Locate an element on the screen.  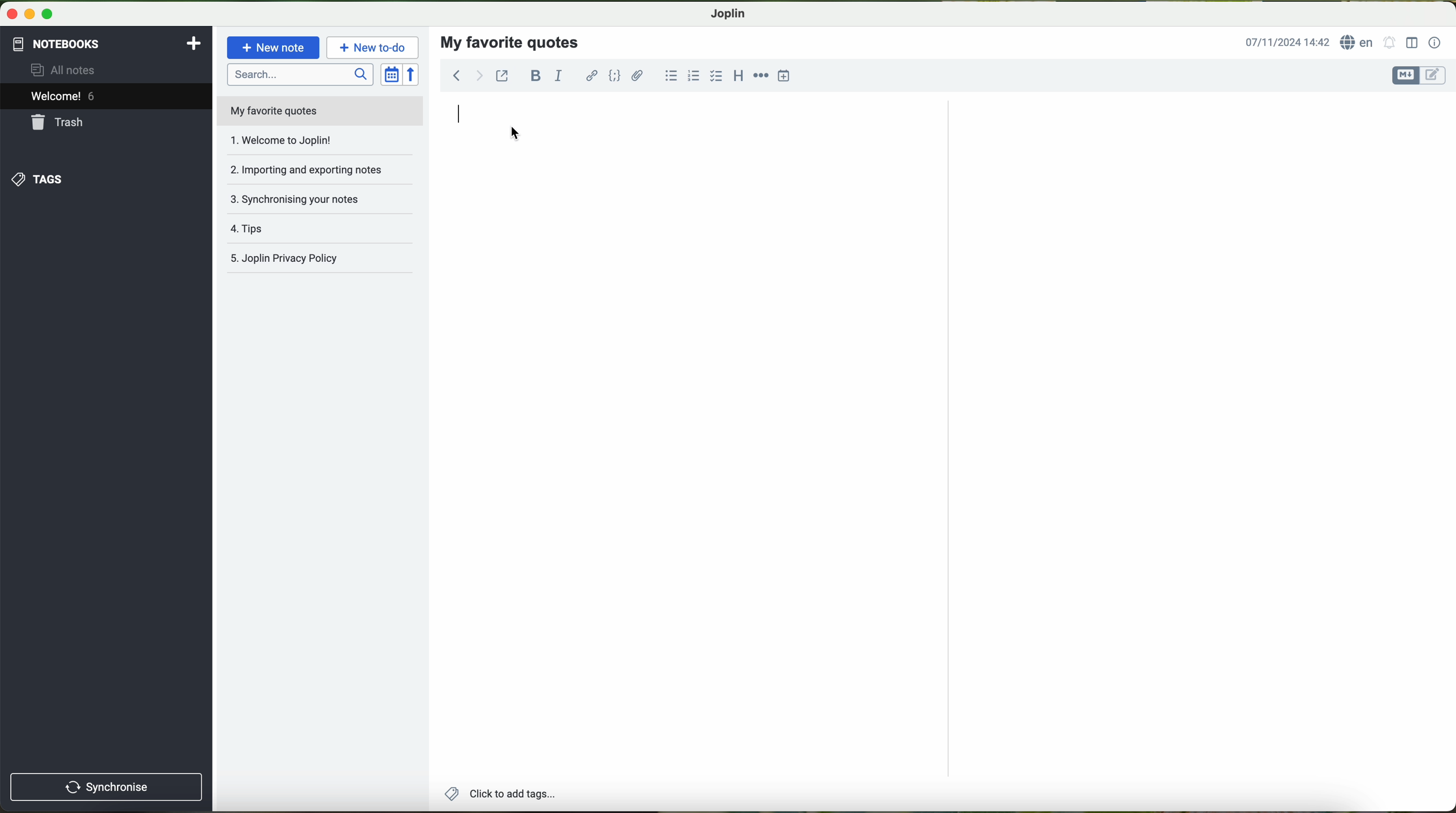
hyperlink is located at coordinates (591, 77).